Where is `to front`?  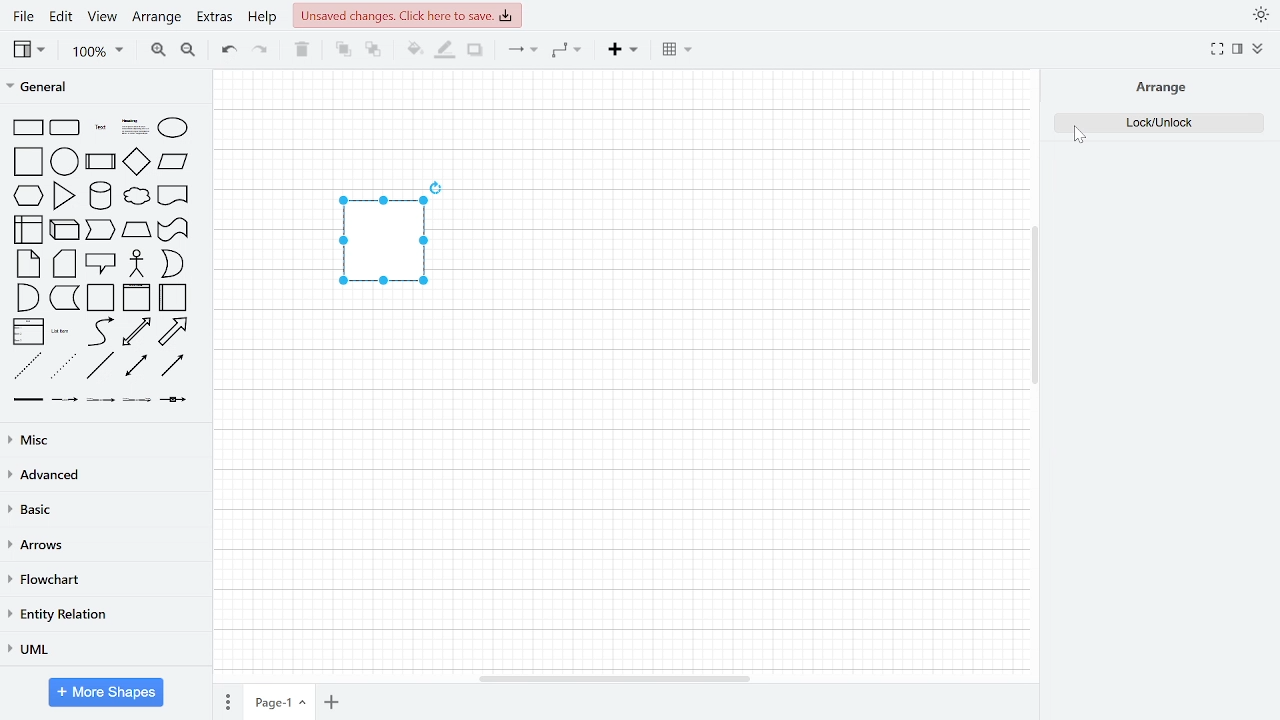 to front is located at coordinates (342, 49).